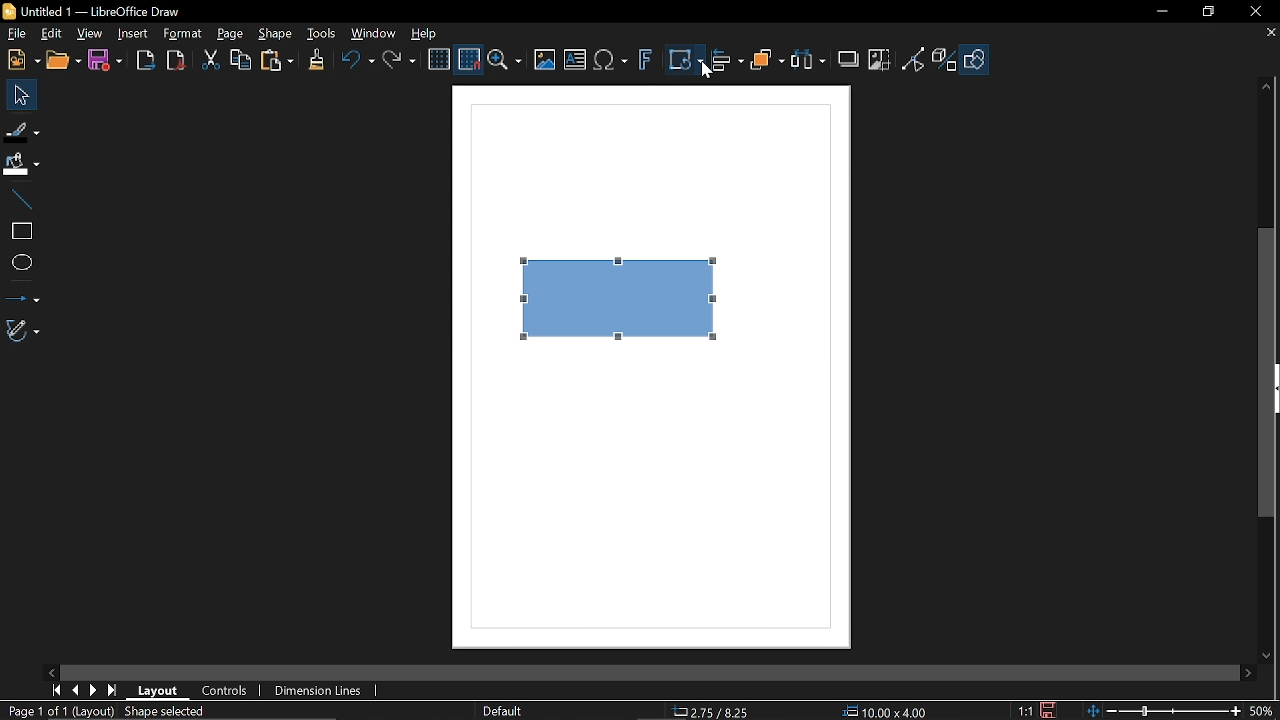  What do you see at coordinates (1046, 711) in the screenshot?
I see `Save` at bounding box center [1046, 711].